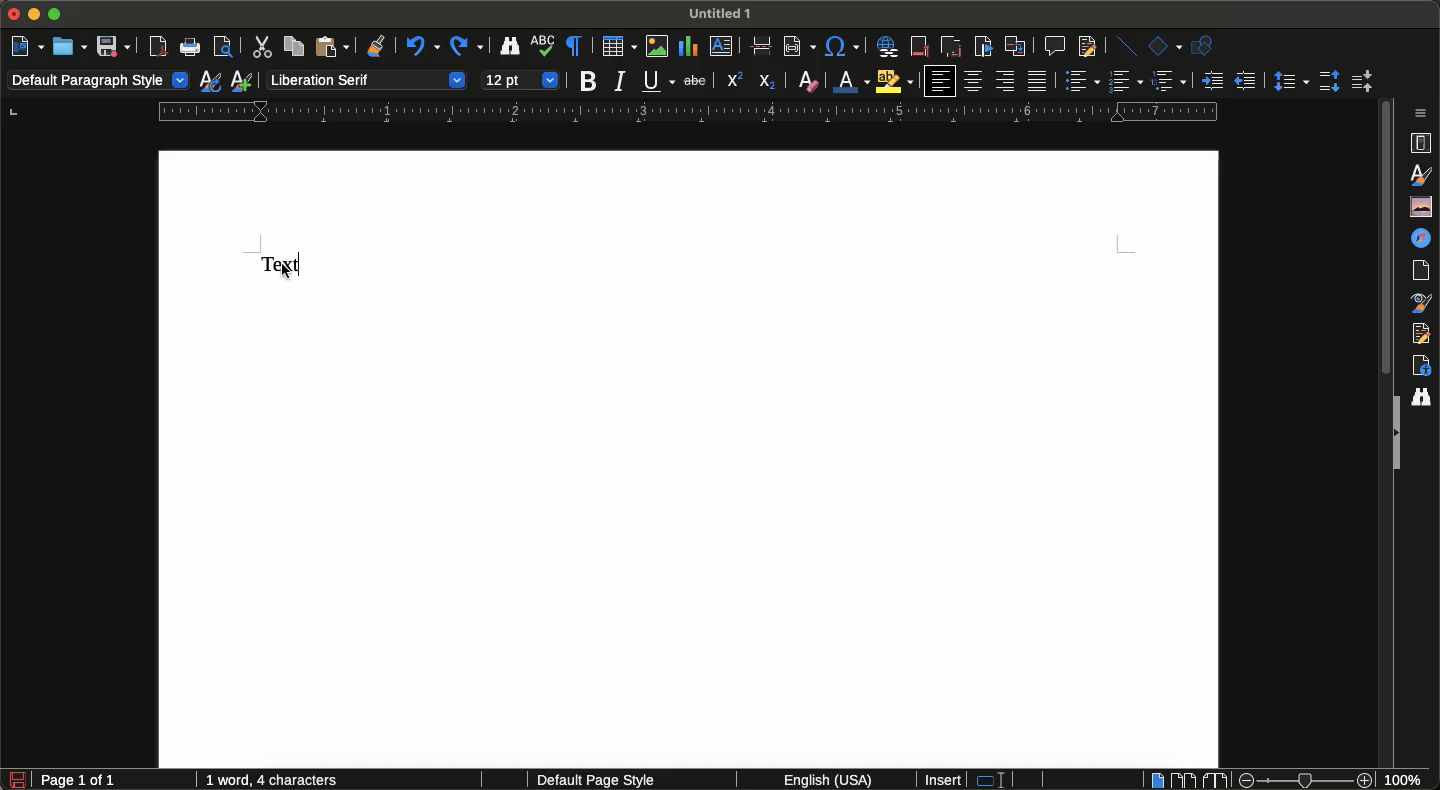 This screenshot has height=790, width=1440. I want to click on Zoom percent, so click(1410, 780).